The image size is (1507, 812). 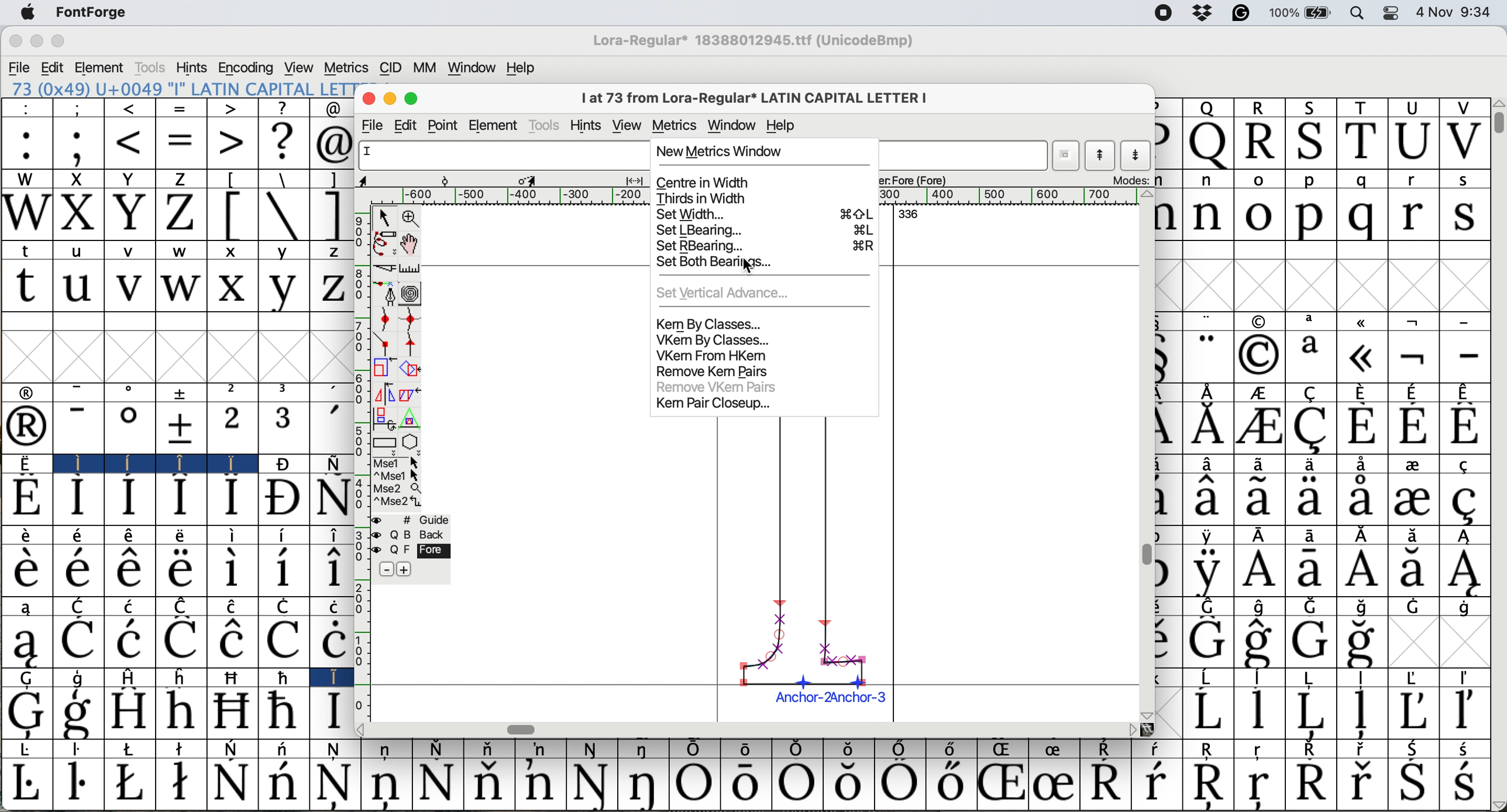 I want to click on Symbol, so click(x=1360, y=356).